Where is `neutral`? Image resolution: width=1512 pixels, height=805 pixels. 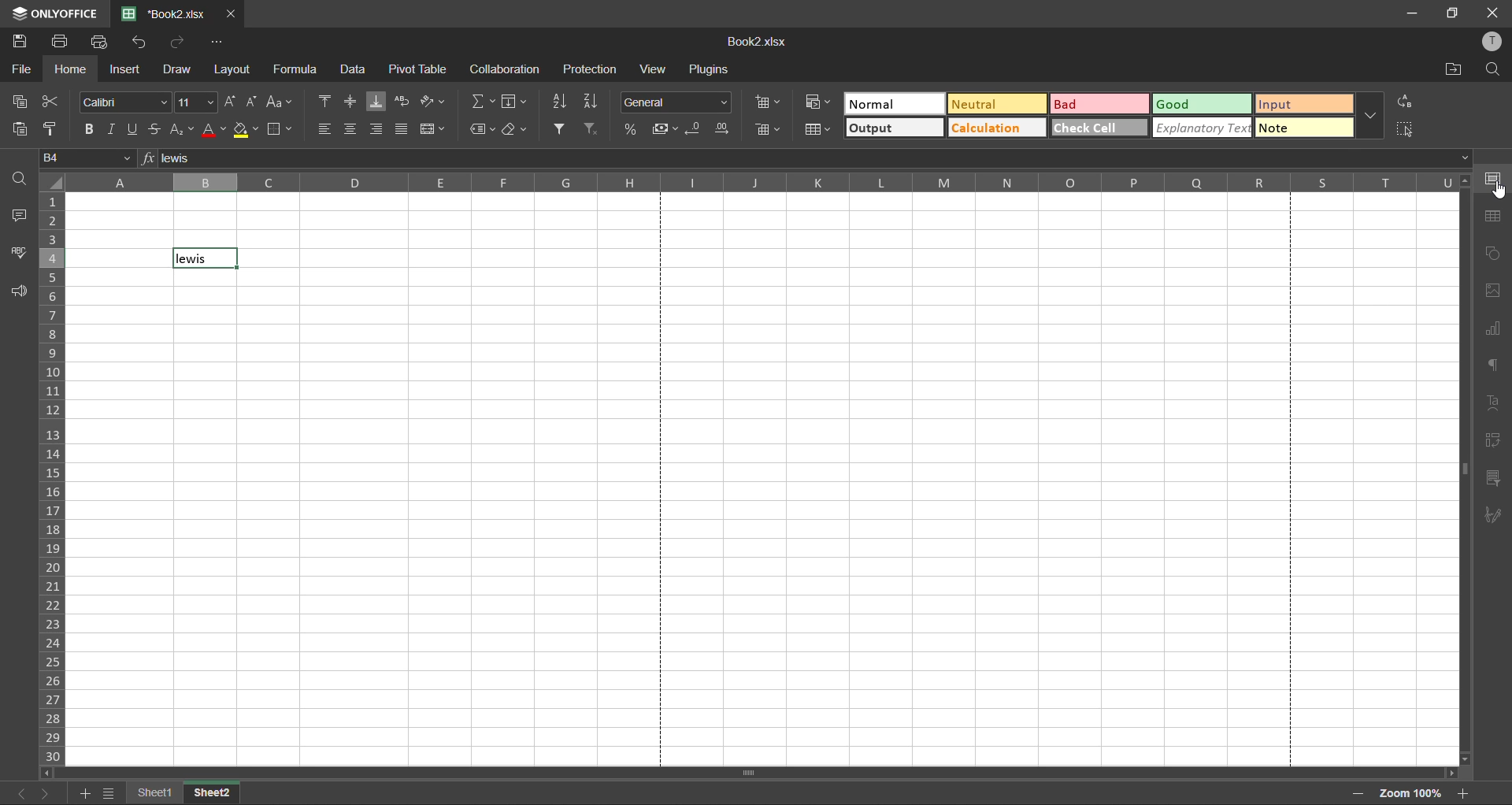
neutral is located at coordinates (997, 104).